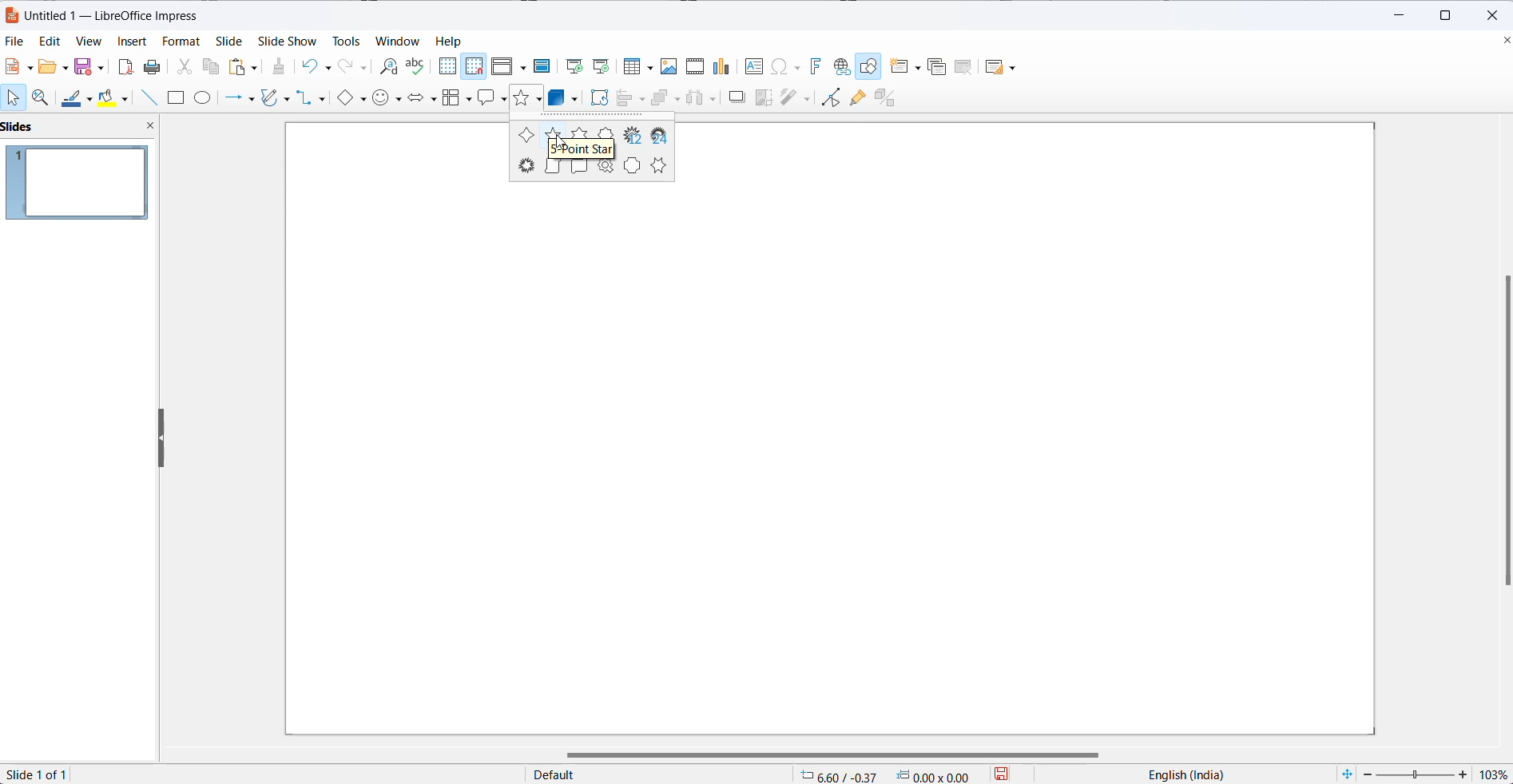 The height and width of the screenshot is (784, 1513). Describe the element at coordinates (46, 774) in the screenshot. I see `slide 1 of 1` at that location.